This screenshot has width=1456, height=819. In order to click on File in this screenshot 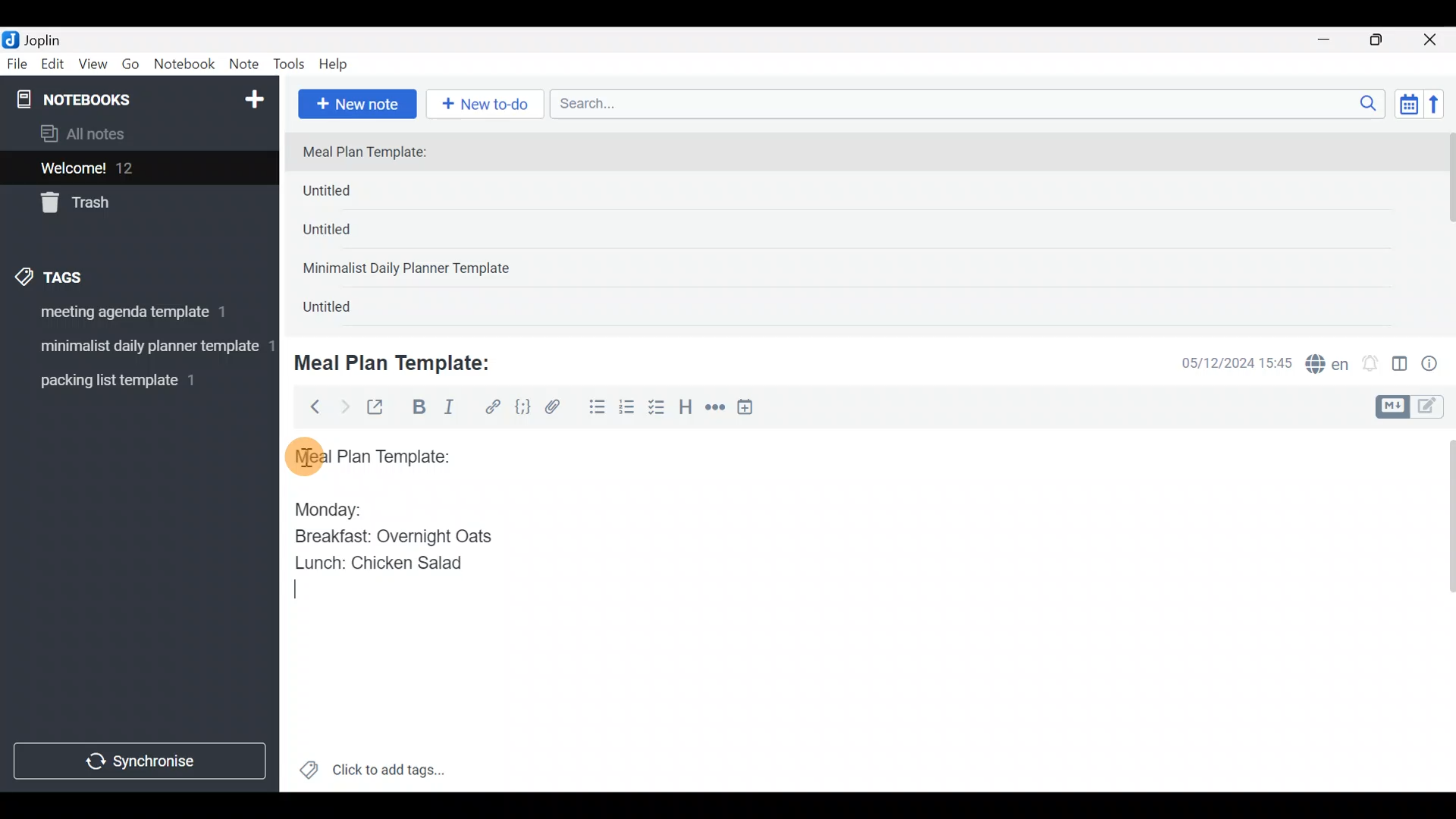, I will do `click(18, 64)`.